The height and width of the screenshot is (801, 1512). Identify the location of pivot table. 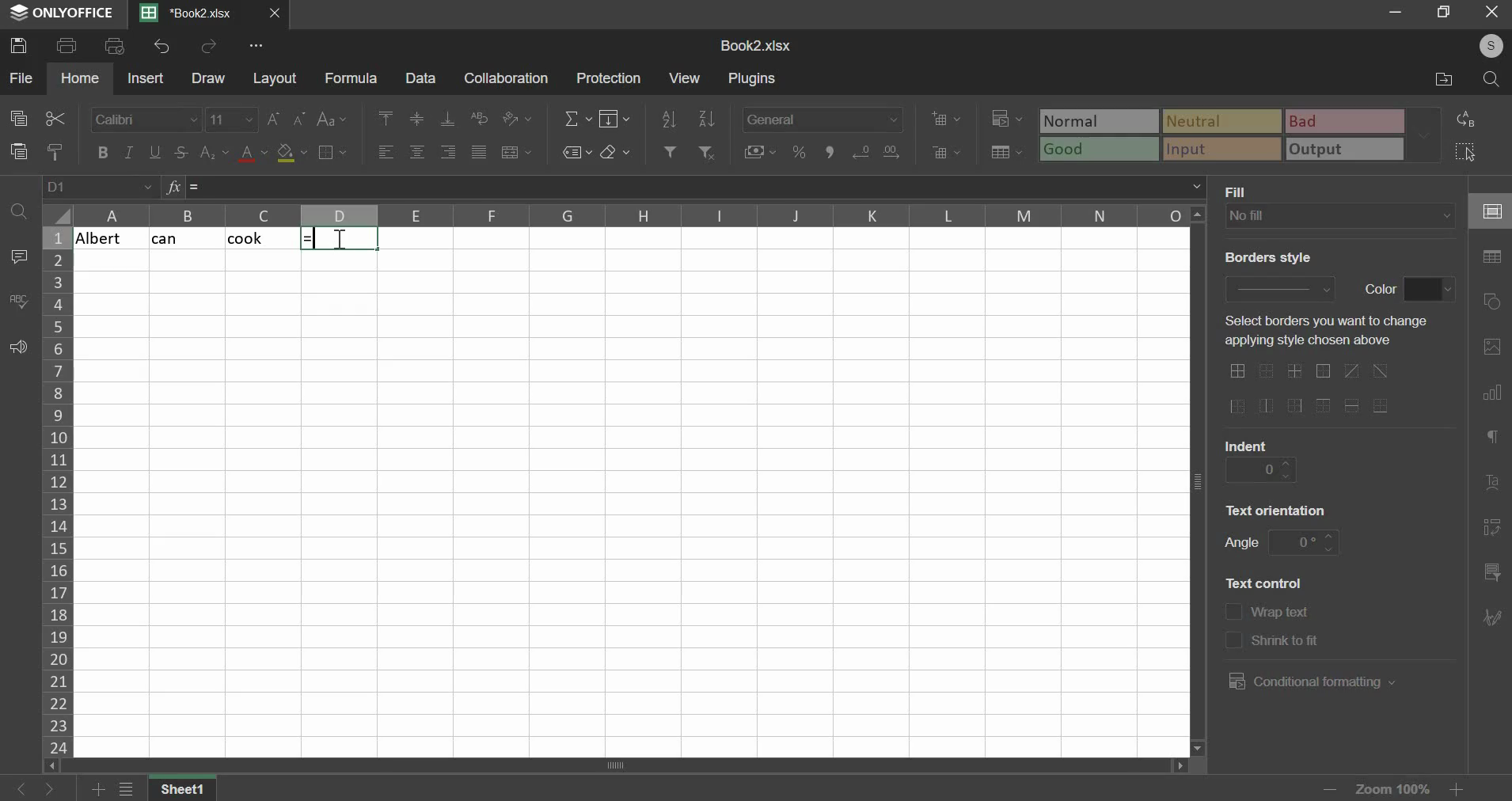
(1492, 529).